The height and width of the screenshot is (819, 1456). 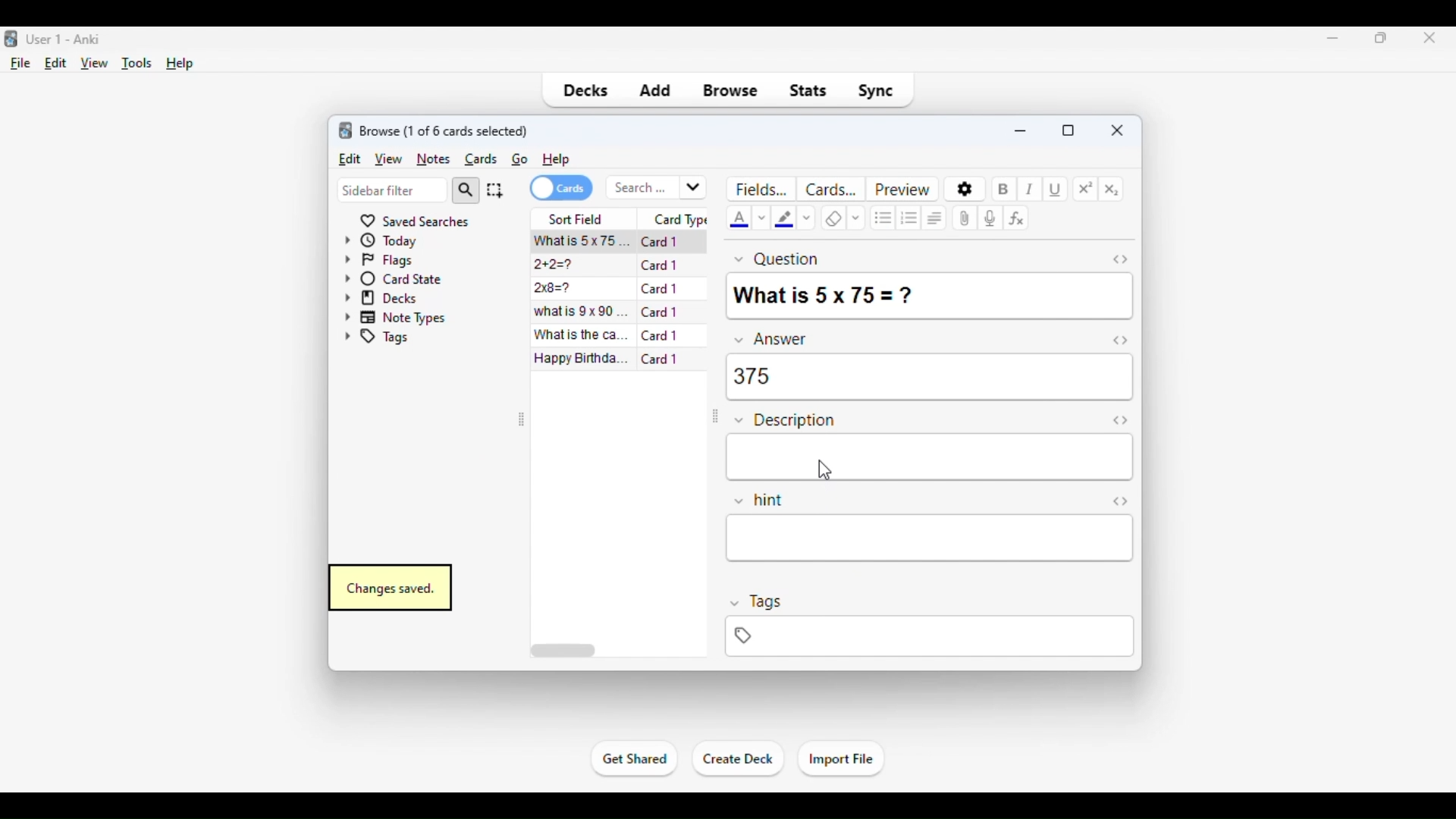 What do you see at coordinates (772, 338) in the screenshot?
I see `answer` at bounding box center [772, 338].